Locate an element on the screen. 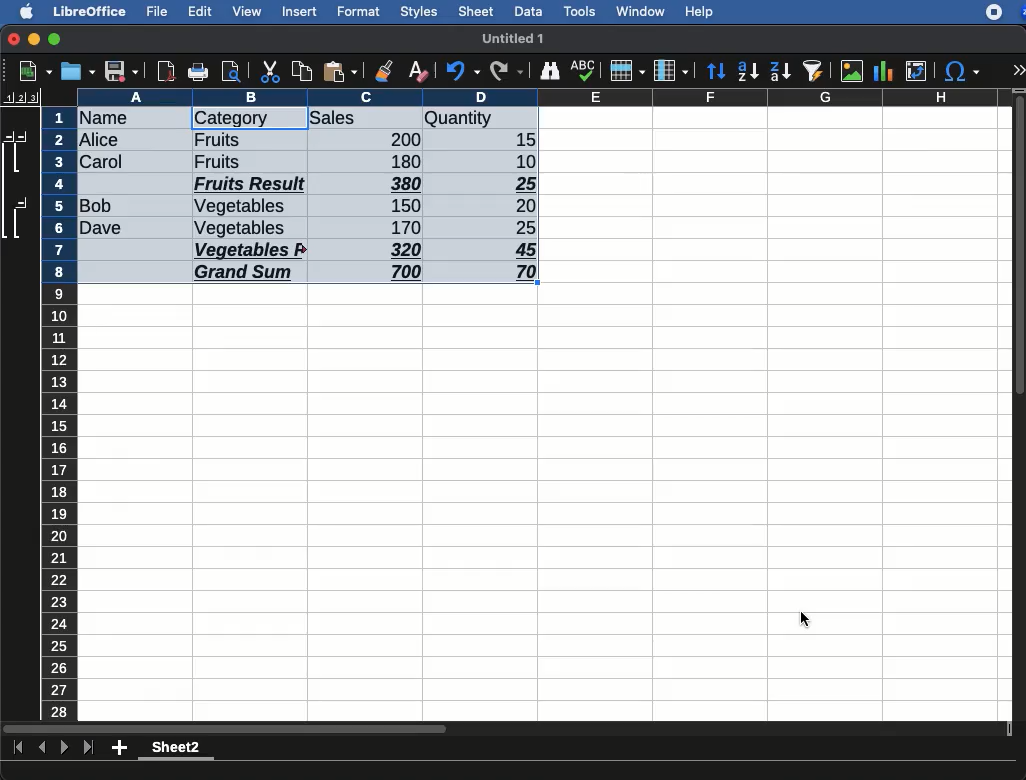 The height and width of the screenshot is (780, 1026). new is located at coordinates (31, 70).